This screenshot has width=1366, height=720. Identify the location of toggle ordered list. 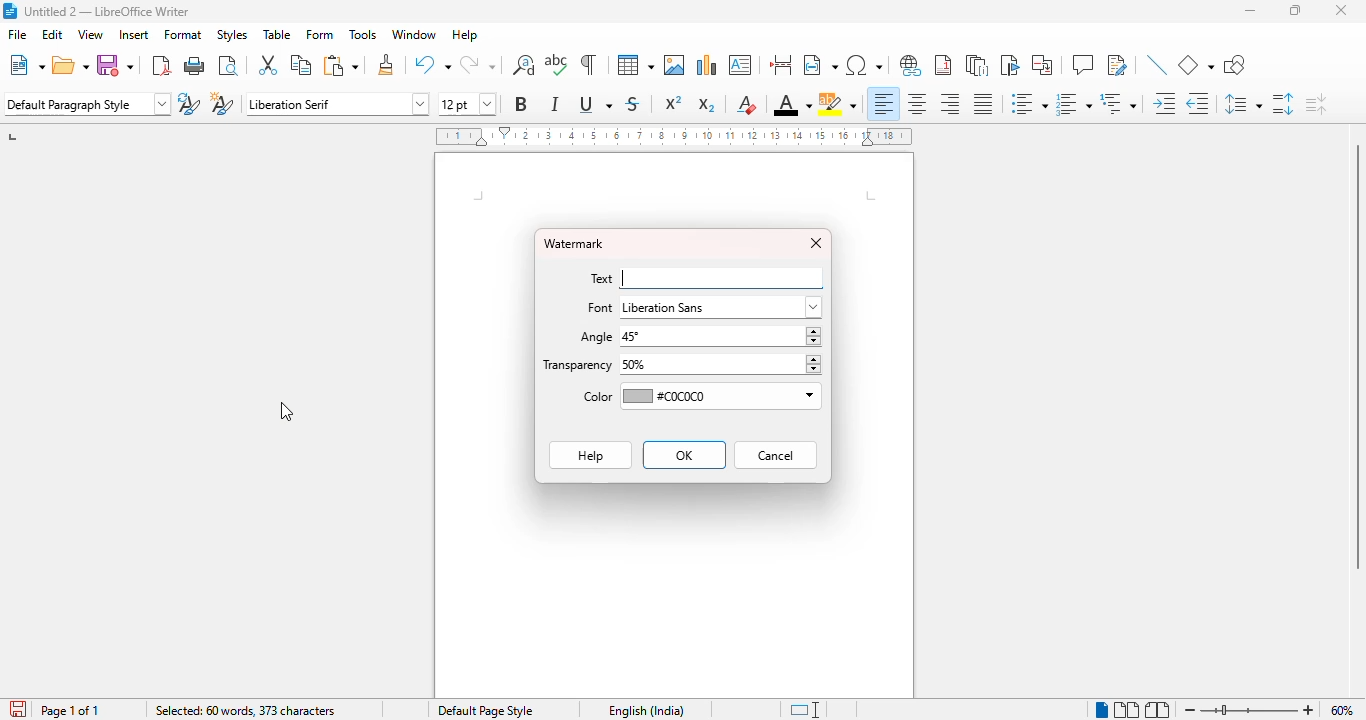
(1073, 104).